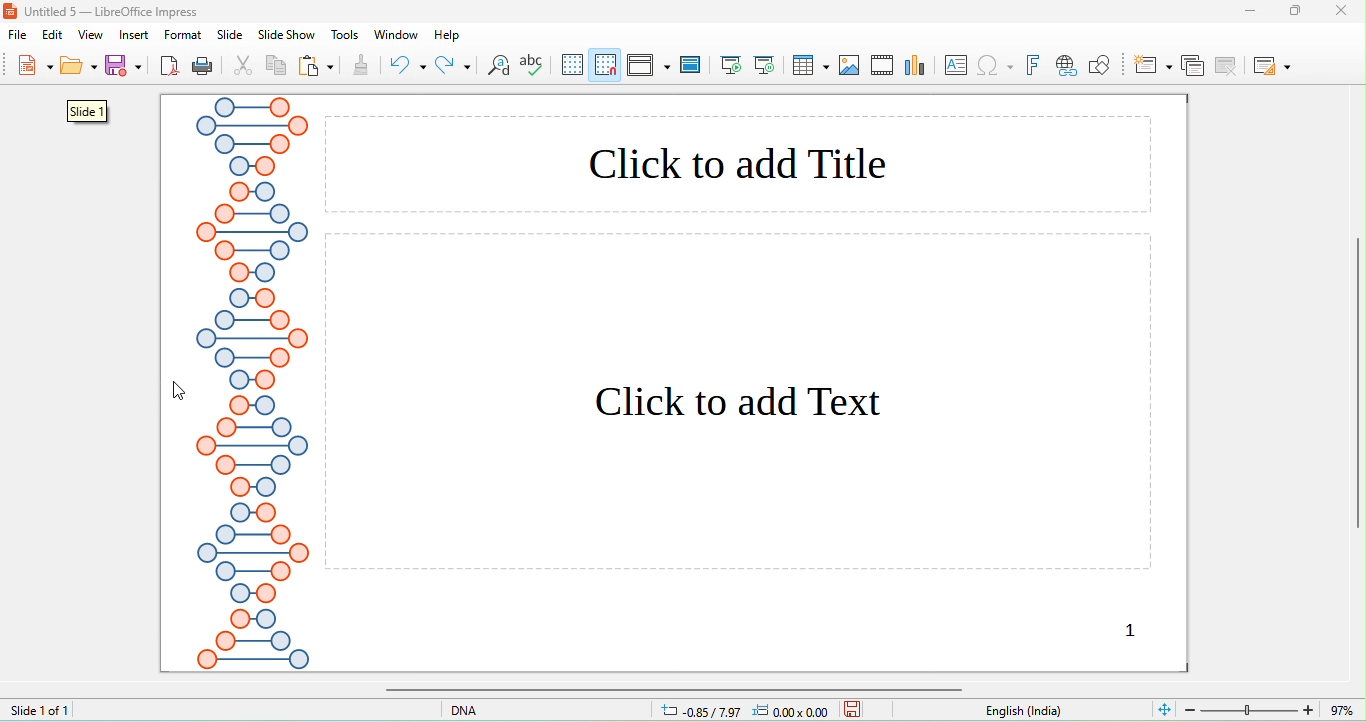 The height and width of the screenshot is (722, 1366). What do you see at coordinates (1250, 10) in the screenshot?
I see `minimize` at bounding box center [1250, 10].